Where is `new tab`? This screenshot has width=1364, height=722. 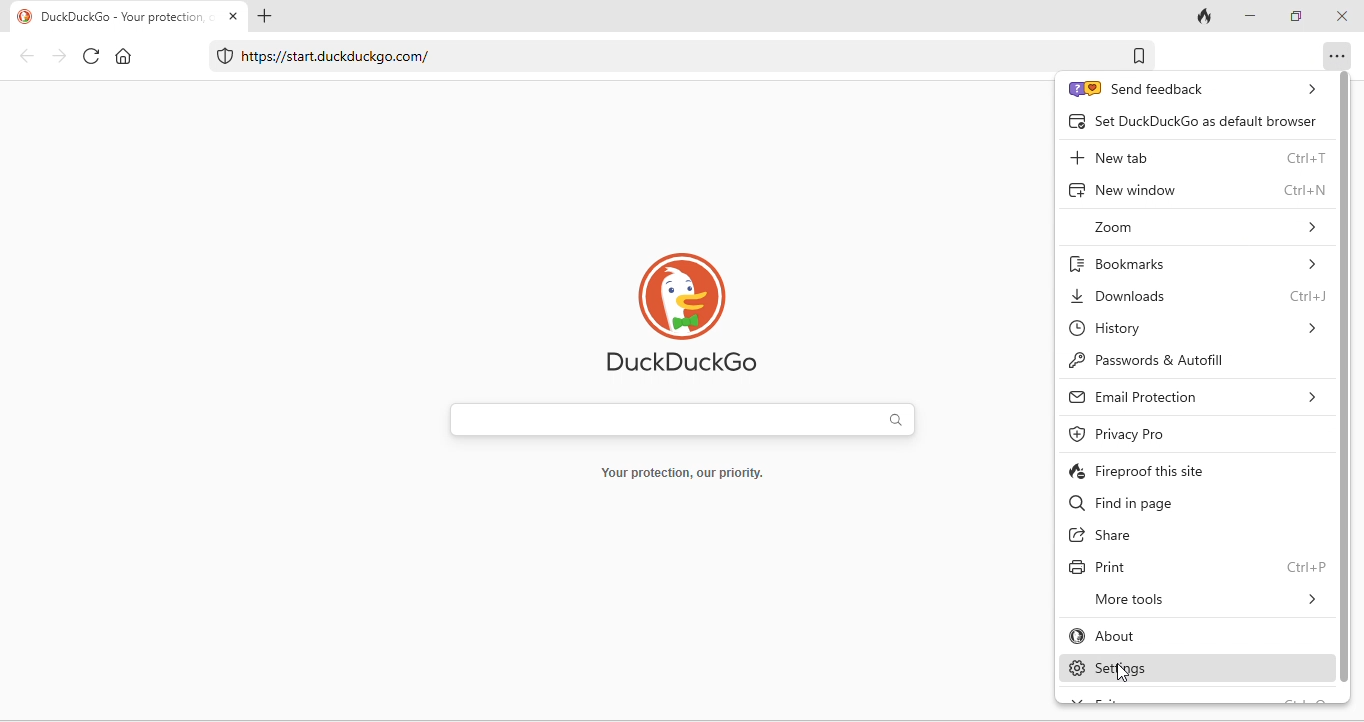 new tab is located at coordinates (1197, 159).